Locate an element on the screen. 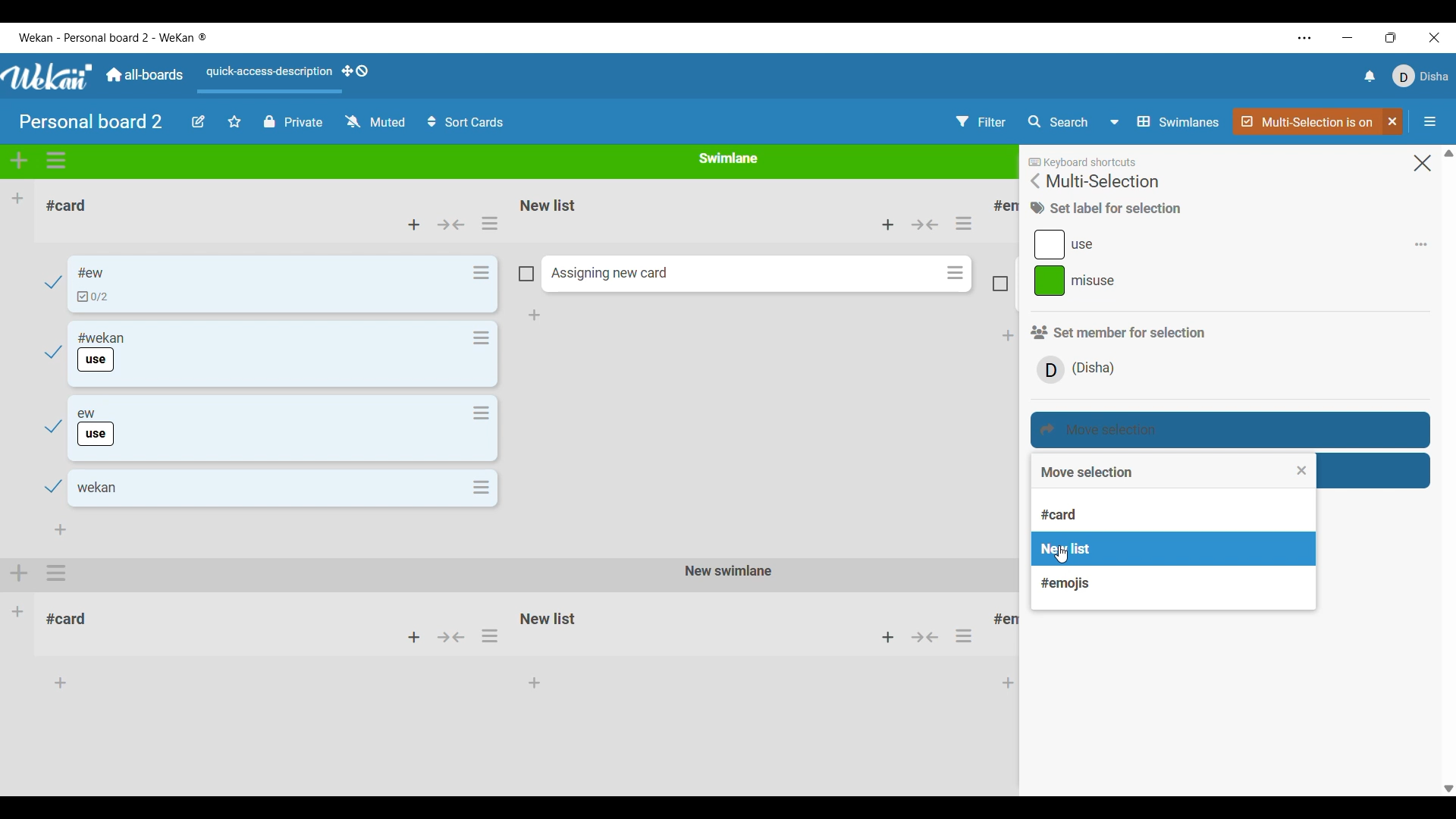 The height and width of the screenshot is (819, 1456). Close list is located at coordinates (1302, 470).